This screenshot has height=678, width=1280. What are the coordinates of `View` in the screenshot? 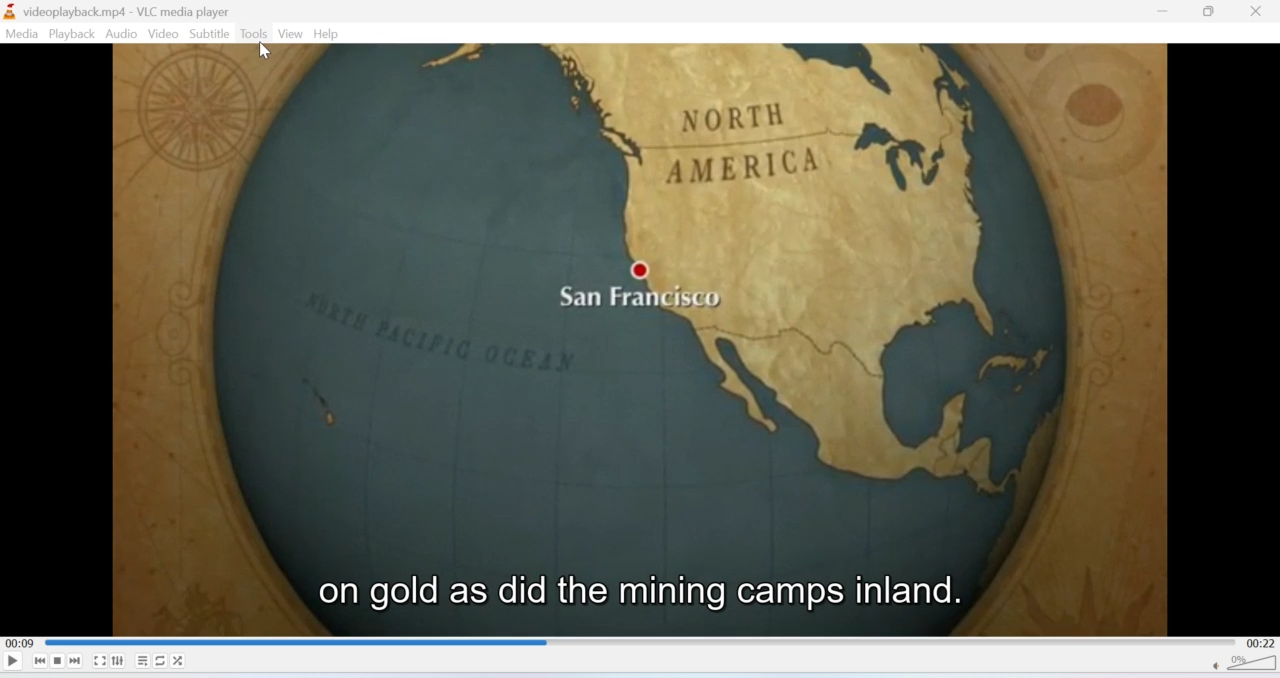 It's located at (291, 34).